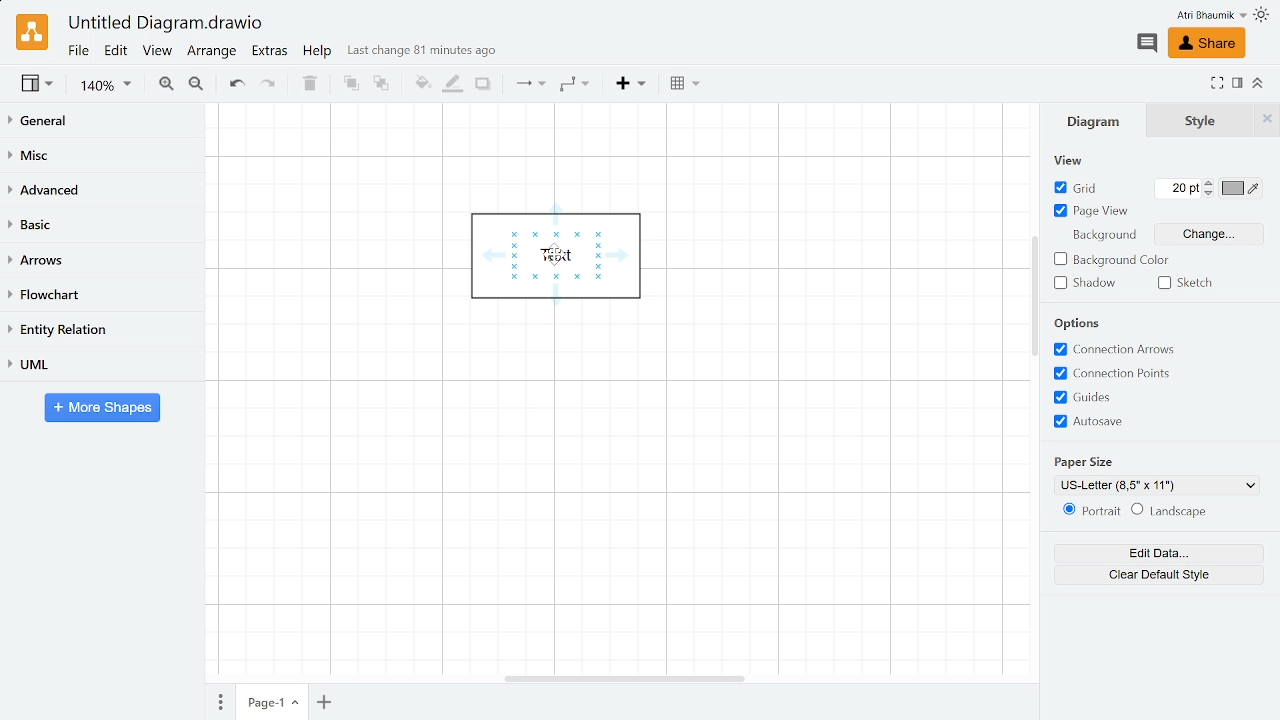  What do you see at coordinates (198, 85) in the screenshot?
I see `Zoom out` at bounding box center [198, 85].